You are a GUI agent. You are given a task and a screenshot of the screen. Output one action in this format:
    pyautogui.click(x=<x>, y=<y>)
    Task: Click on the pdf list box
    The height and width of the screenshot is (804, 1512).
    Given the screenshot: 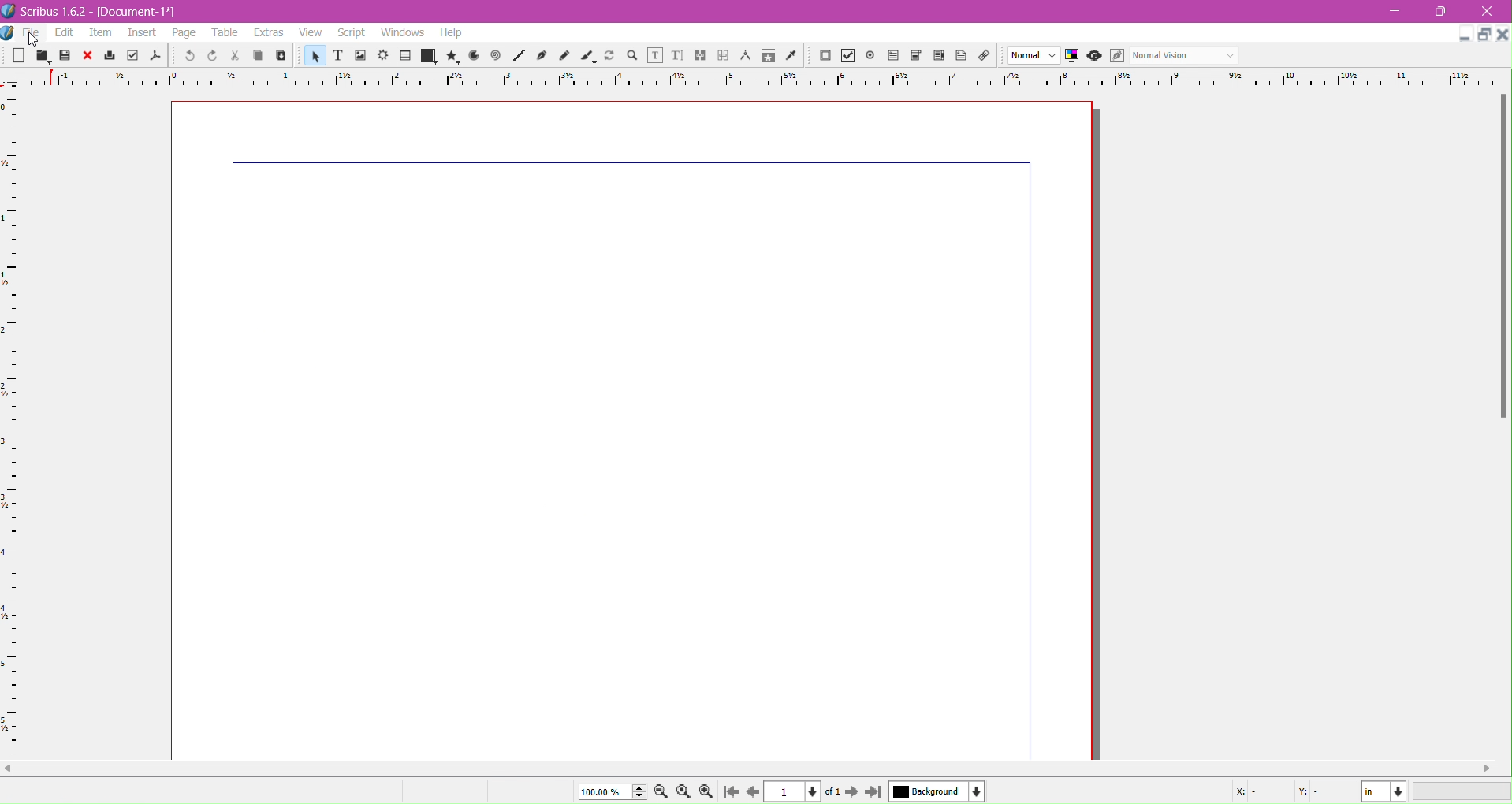 What is the action you would take?
    pyautogui.click(x=940, y=57)
    